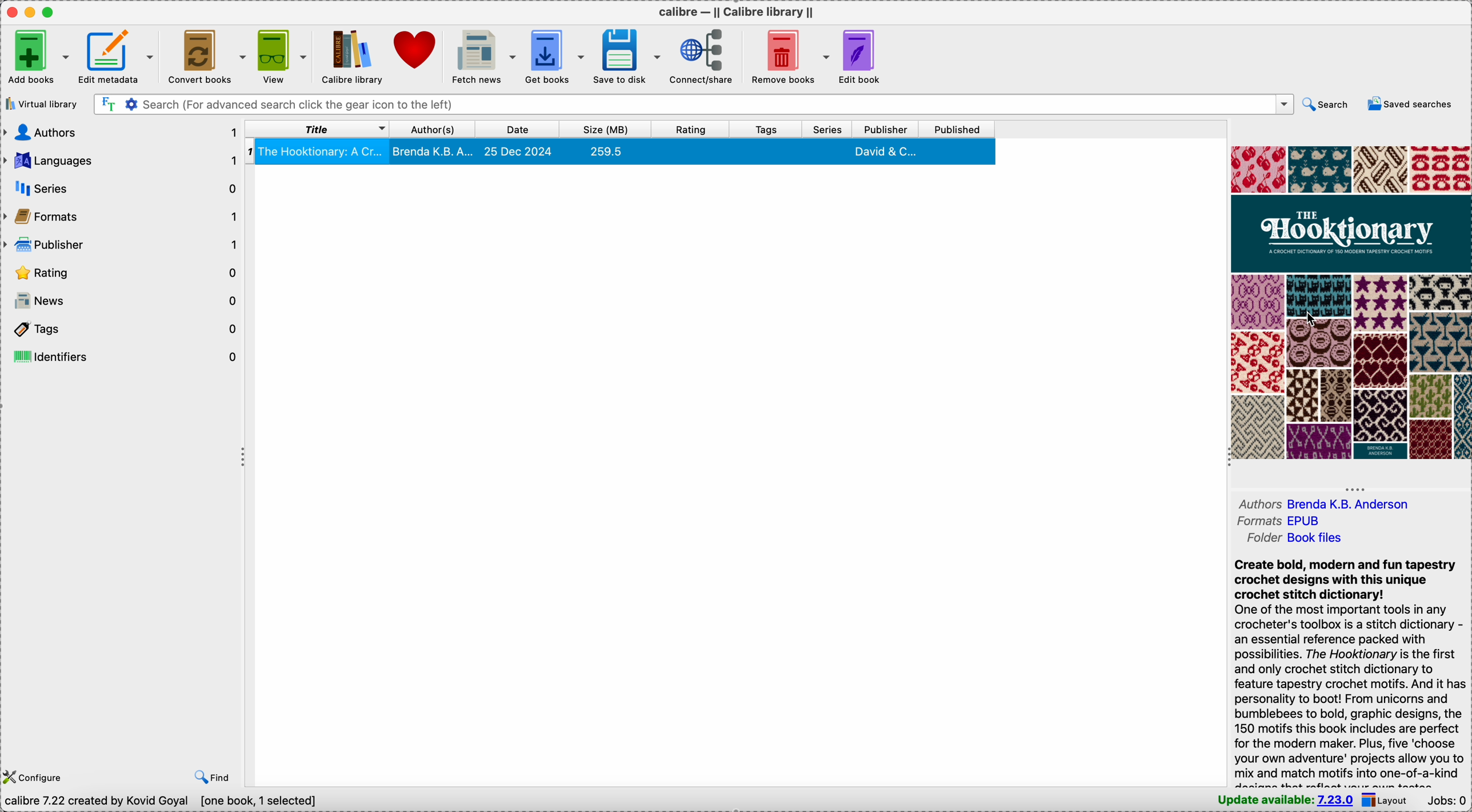 The height and width of the screenshot is (812, 1472). What do you see at coordinates (688, 129) in the screenshot?
I see `rating` at bounding box center [688, 129].